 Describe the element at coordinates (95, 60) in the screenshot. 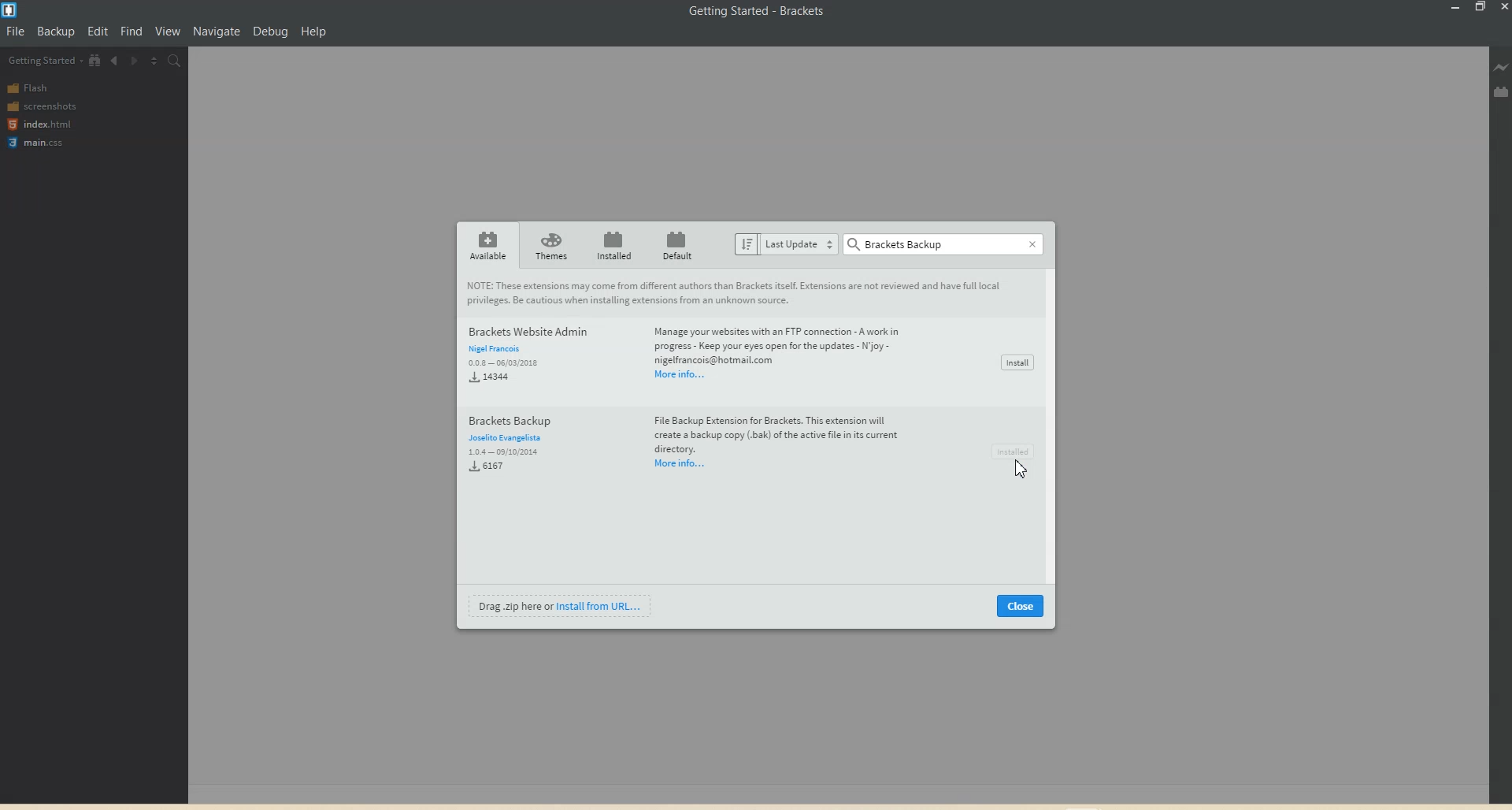

I see `View in file Tree` at that location.